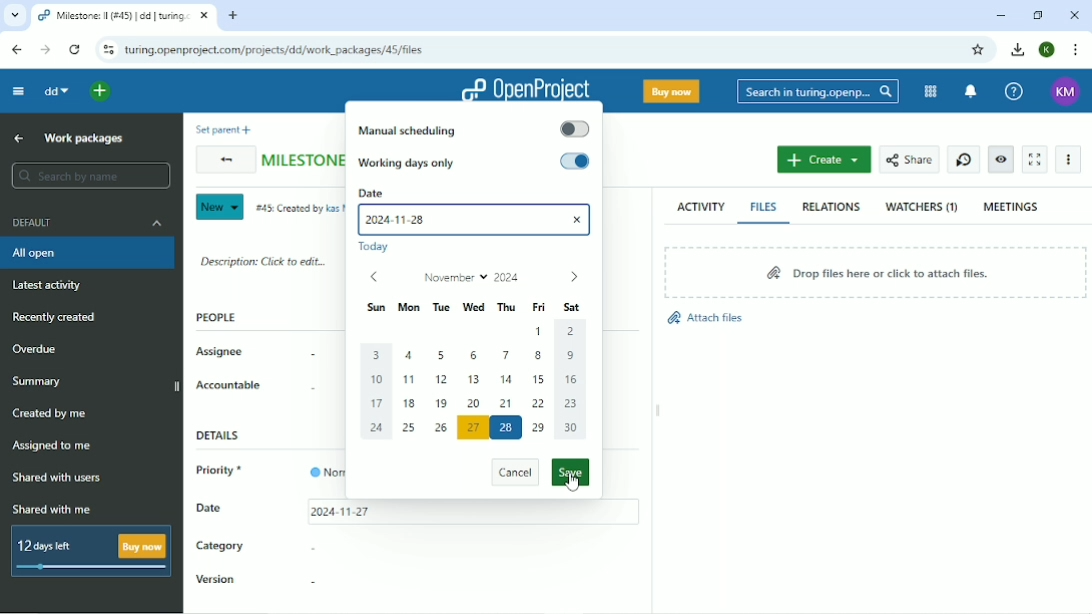 Image resolution: width=1092 pixels, height=614 pixels. Describe the element at coordinates (224, 472) in the screenshot. I see `Priority` at that location.